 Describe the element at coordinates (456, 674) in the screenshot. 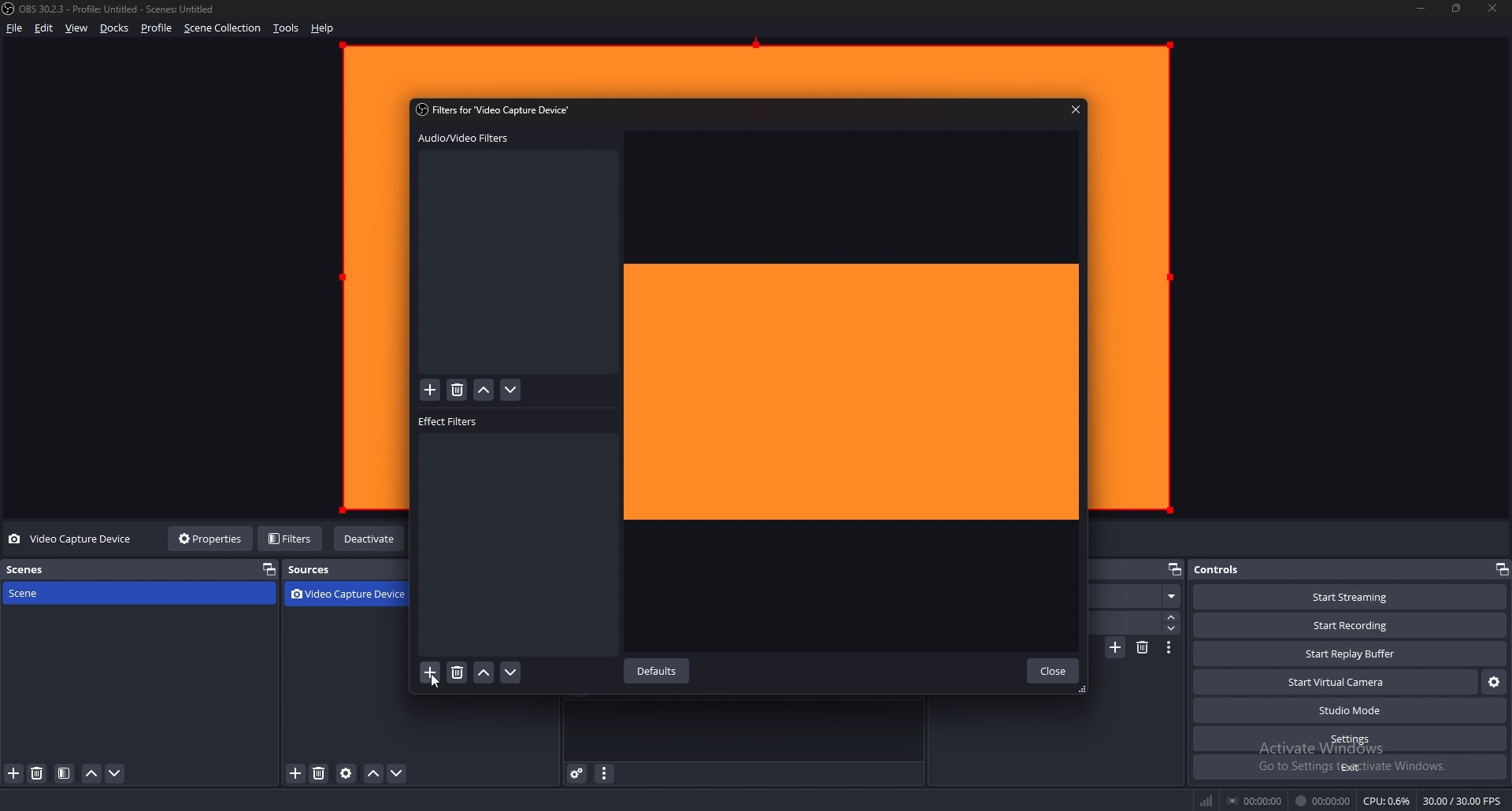

I see `remove filter` at that location.